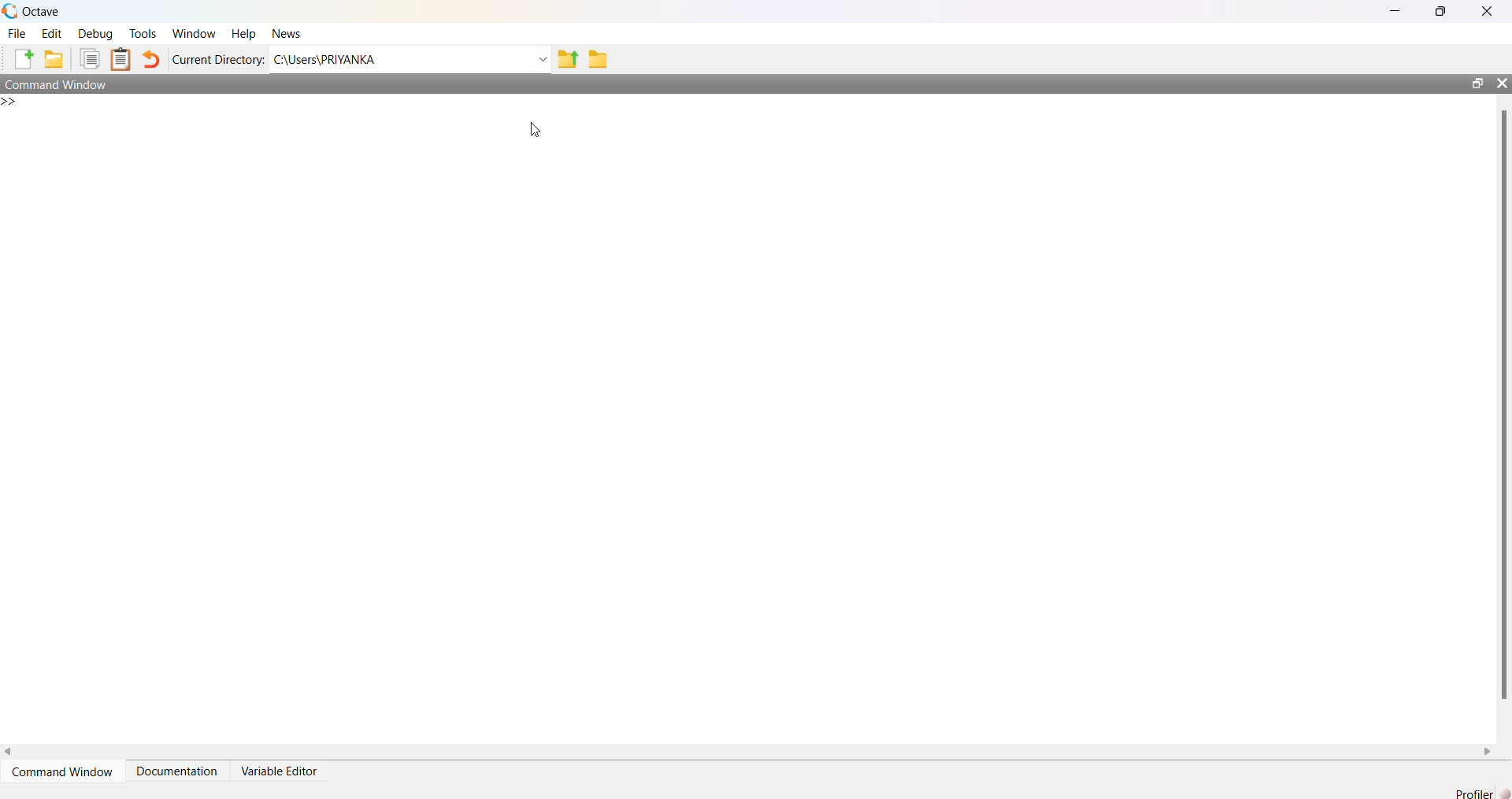 The height and width of the screenshot is (799, 1512). I want to click on Current Directory:, so click(220, 59).